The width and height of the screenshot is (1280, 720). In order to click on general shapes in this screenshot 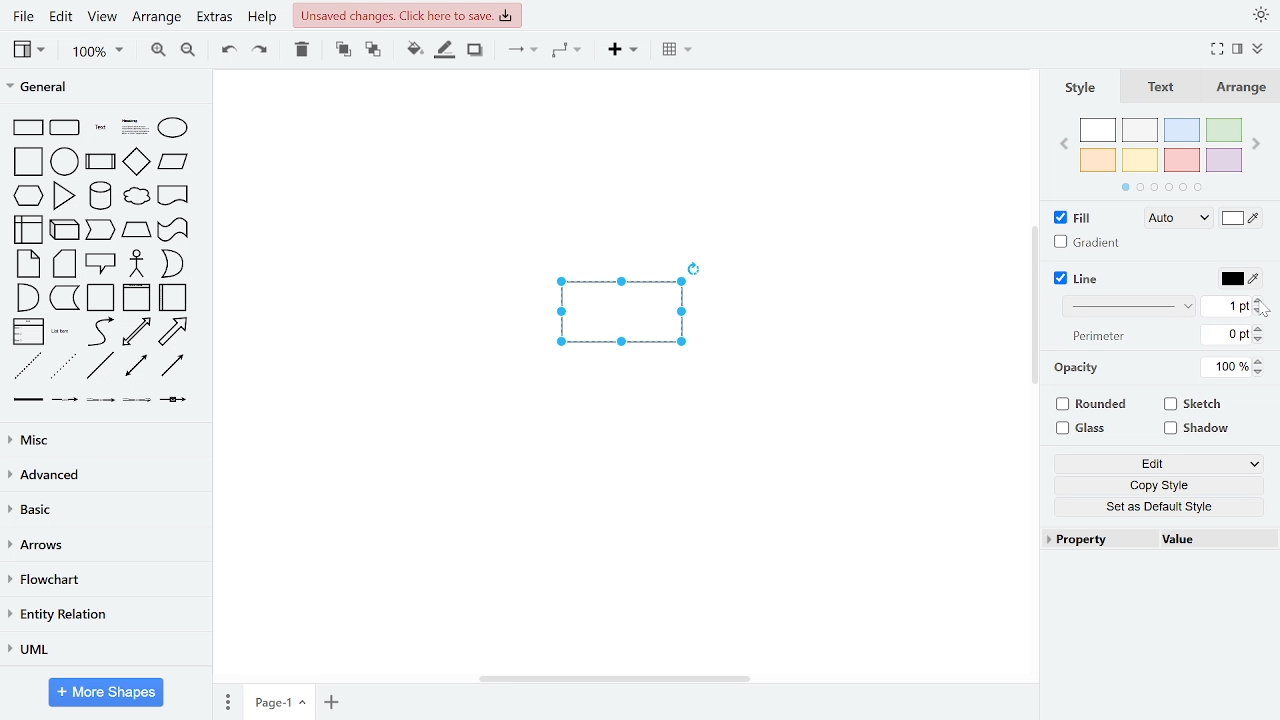, I will do `click(172, 298)`.